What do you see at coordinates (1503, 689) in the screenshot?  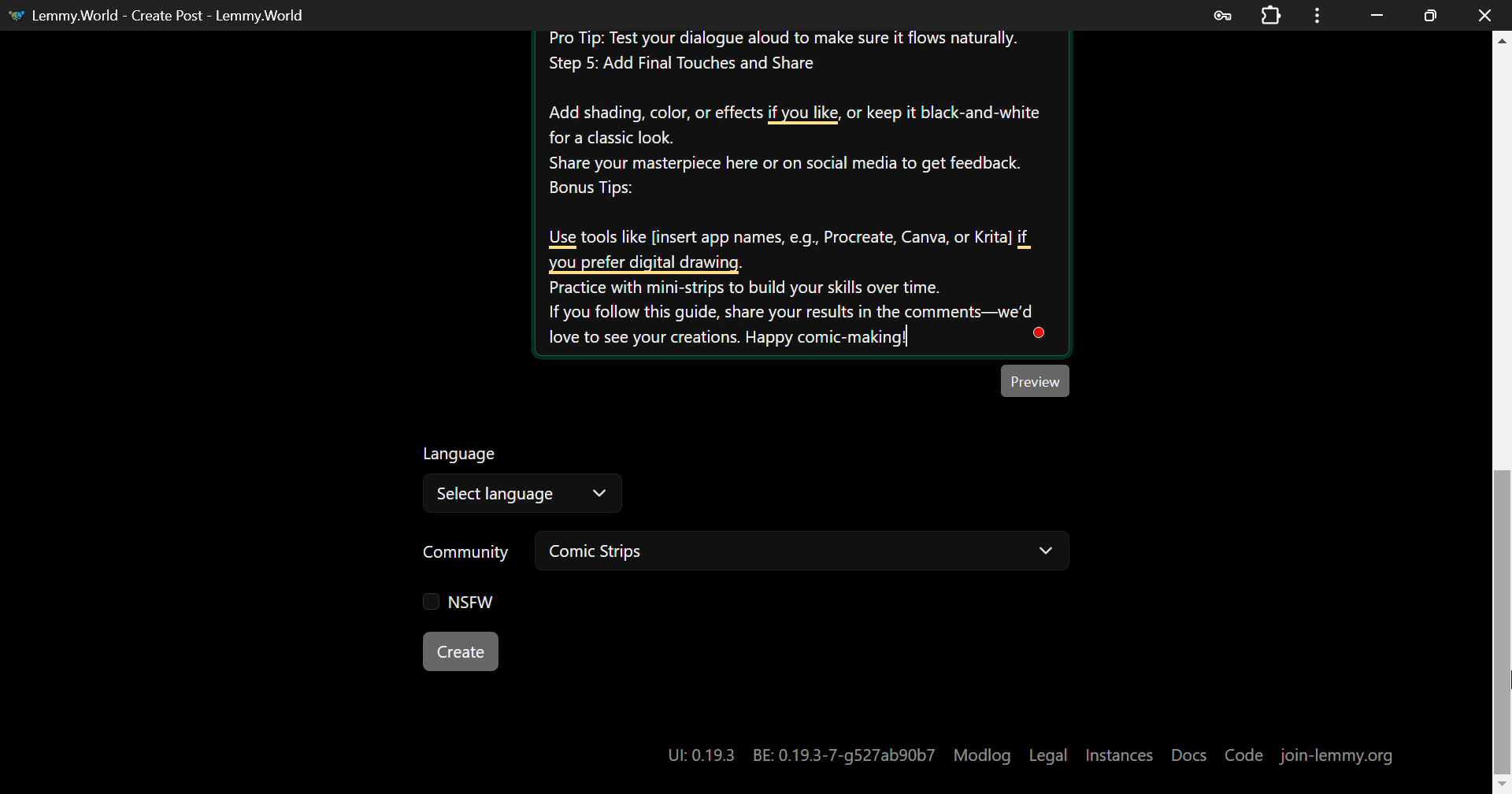 I see `MOUSE_UP Cursor Position` at bounding box center [1503, 689].